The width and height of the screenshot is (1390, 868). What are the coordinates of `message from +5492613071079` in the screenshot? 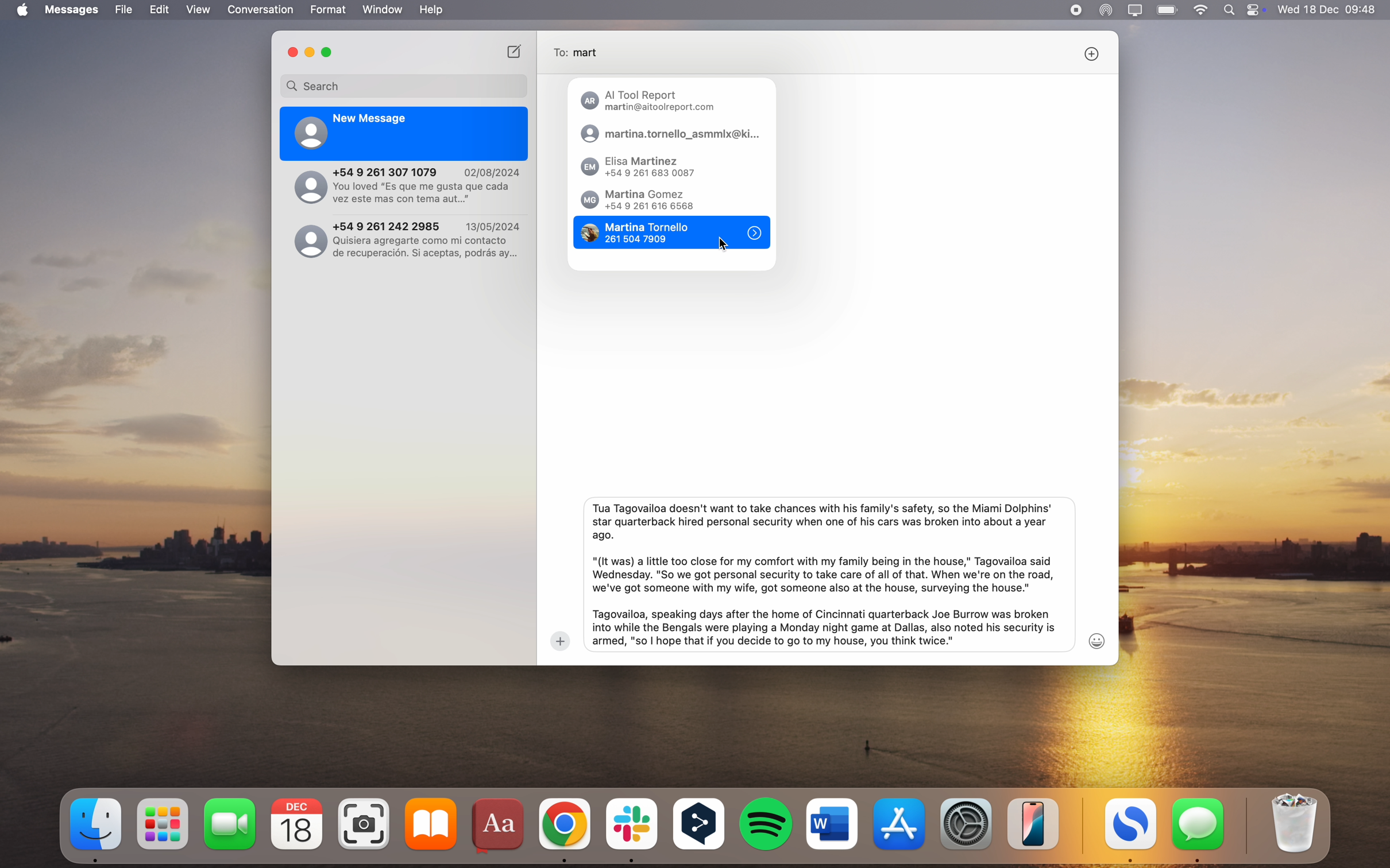 It's located at (407, 187).